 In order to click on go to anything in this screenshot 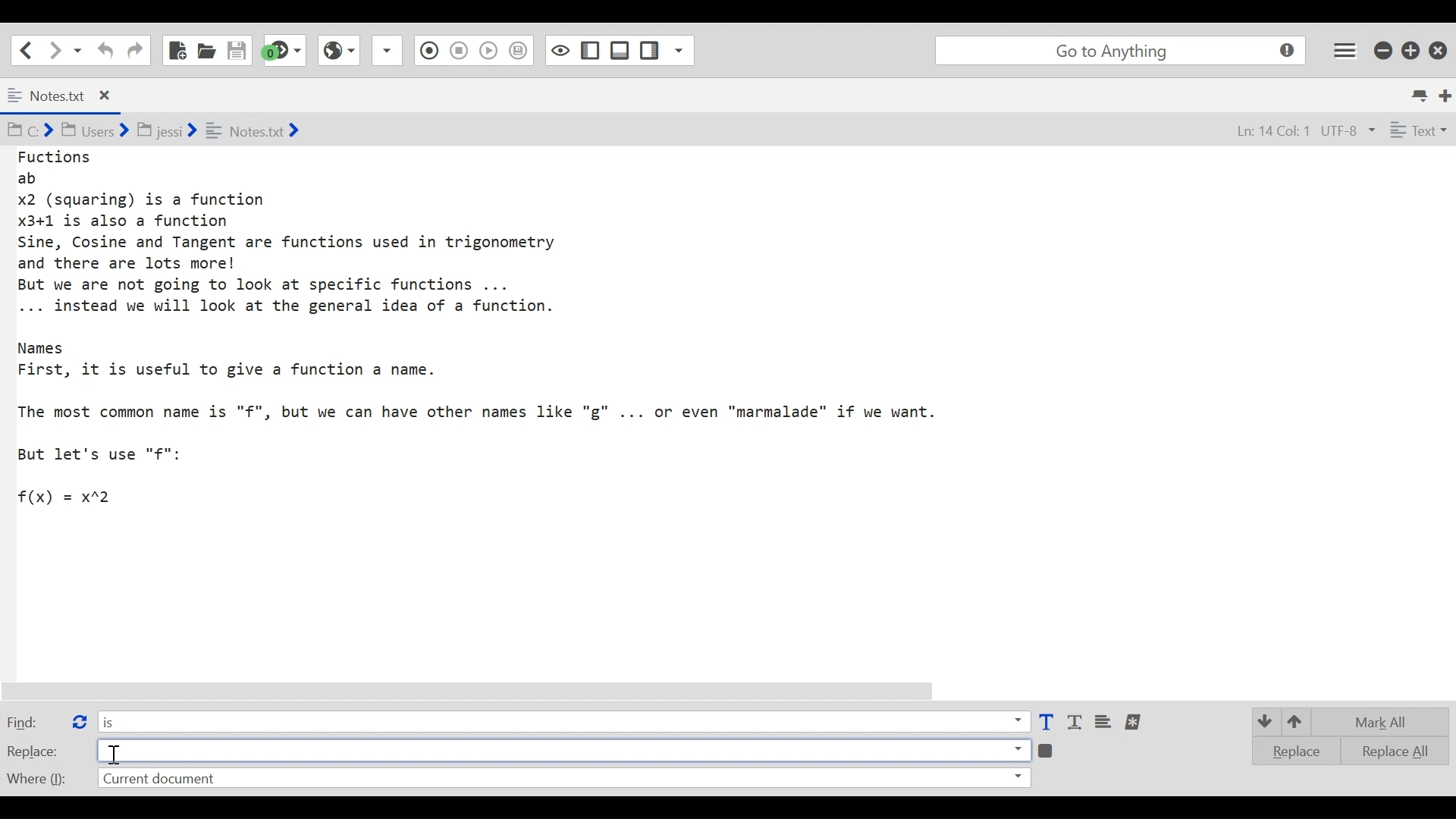, I will do `click(1124, 51)`.